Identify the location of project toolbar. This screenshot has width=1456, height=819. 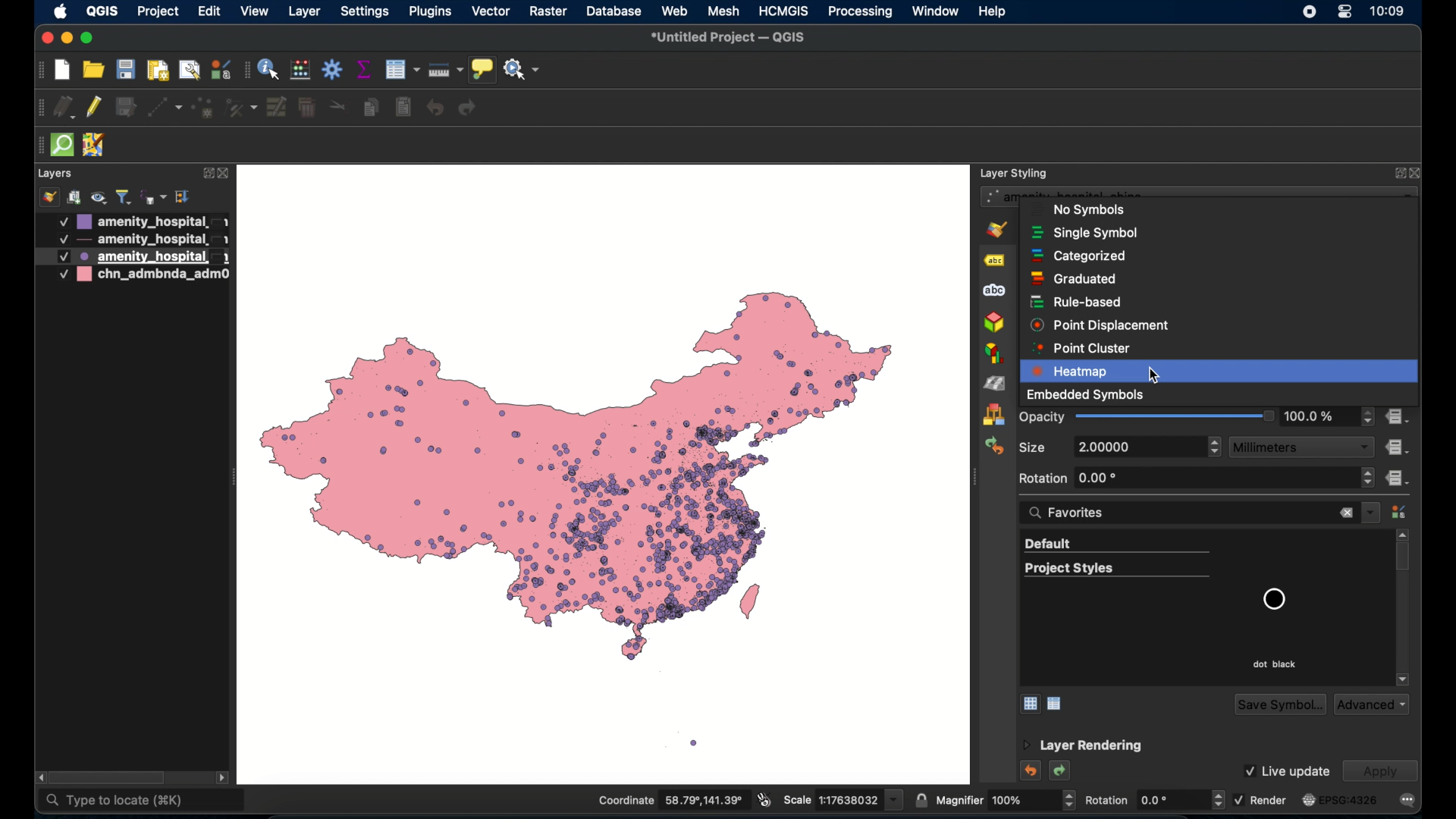
(40, 71).